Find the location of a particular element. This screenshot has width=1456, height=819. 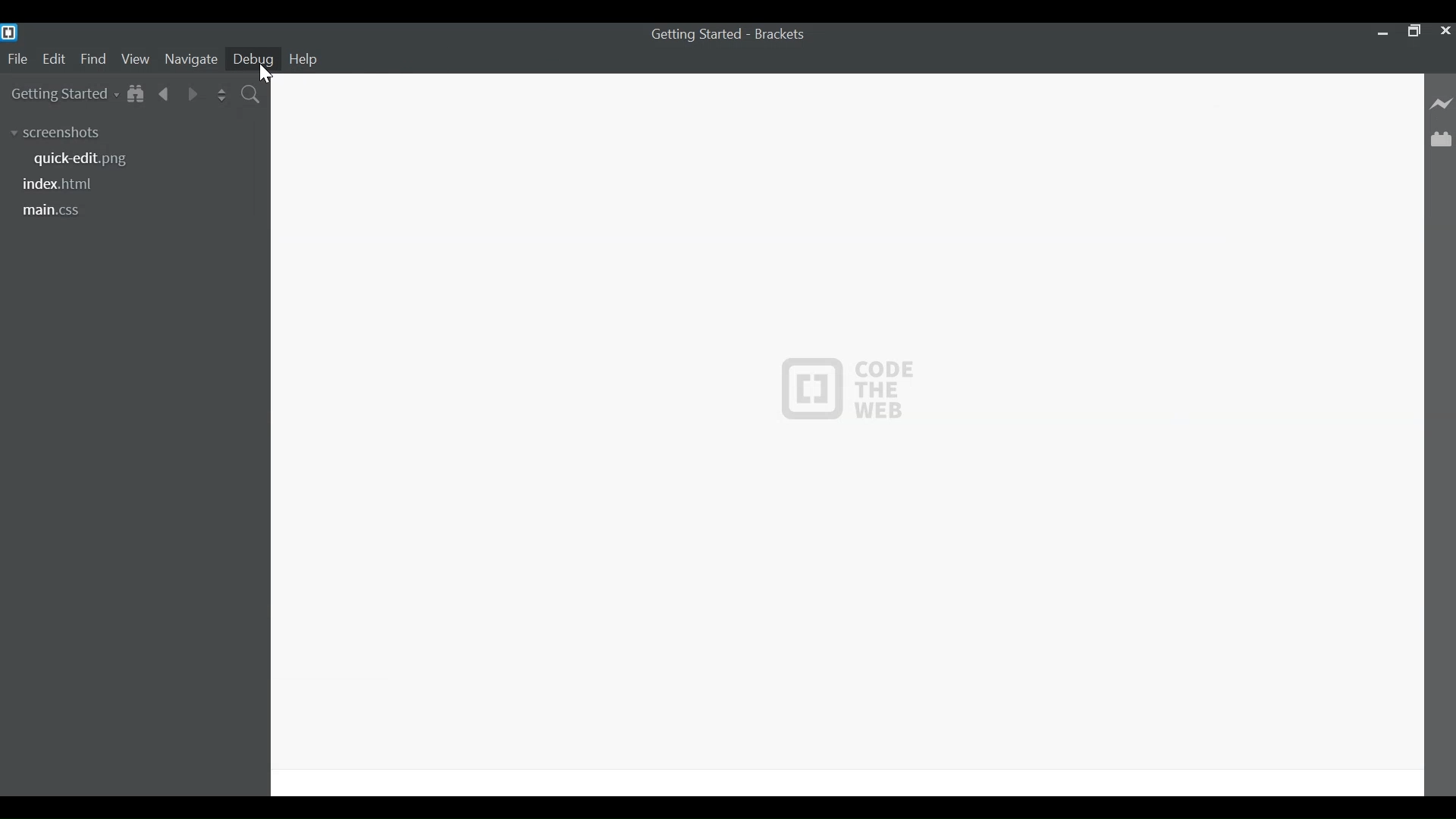

Restore is located at coordinates (1414, 32).